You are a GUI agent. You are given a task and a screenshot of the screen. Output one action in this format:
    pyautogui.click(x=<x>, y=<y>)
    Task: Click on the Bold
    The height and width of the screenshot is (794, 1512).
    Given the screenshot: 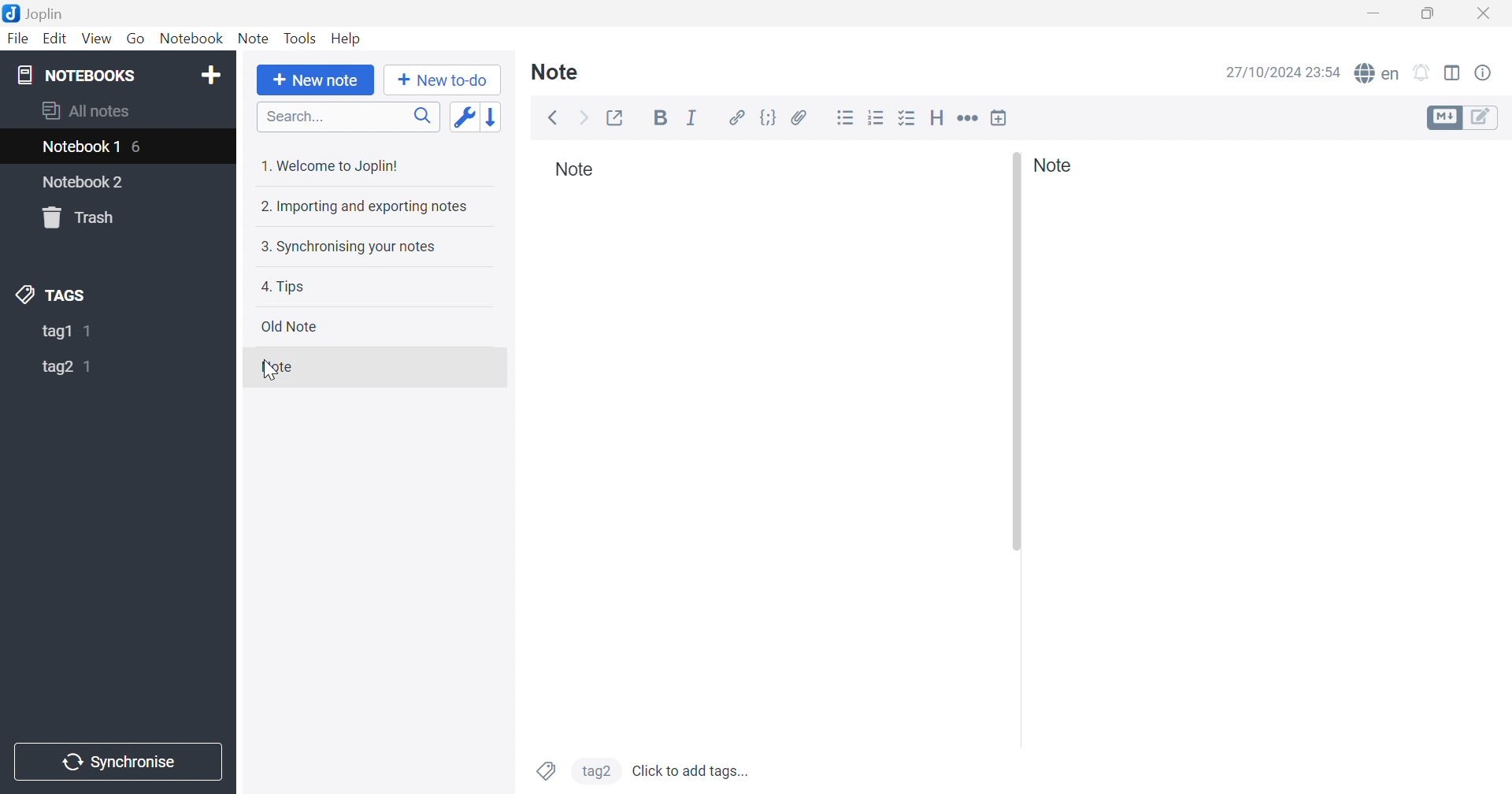 What is the action you would take?
    pyautogui.click(x=659, y=118)
    